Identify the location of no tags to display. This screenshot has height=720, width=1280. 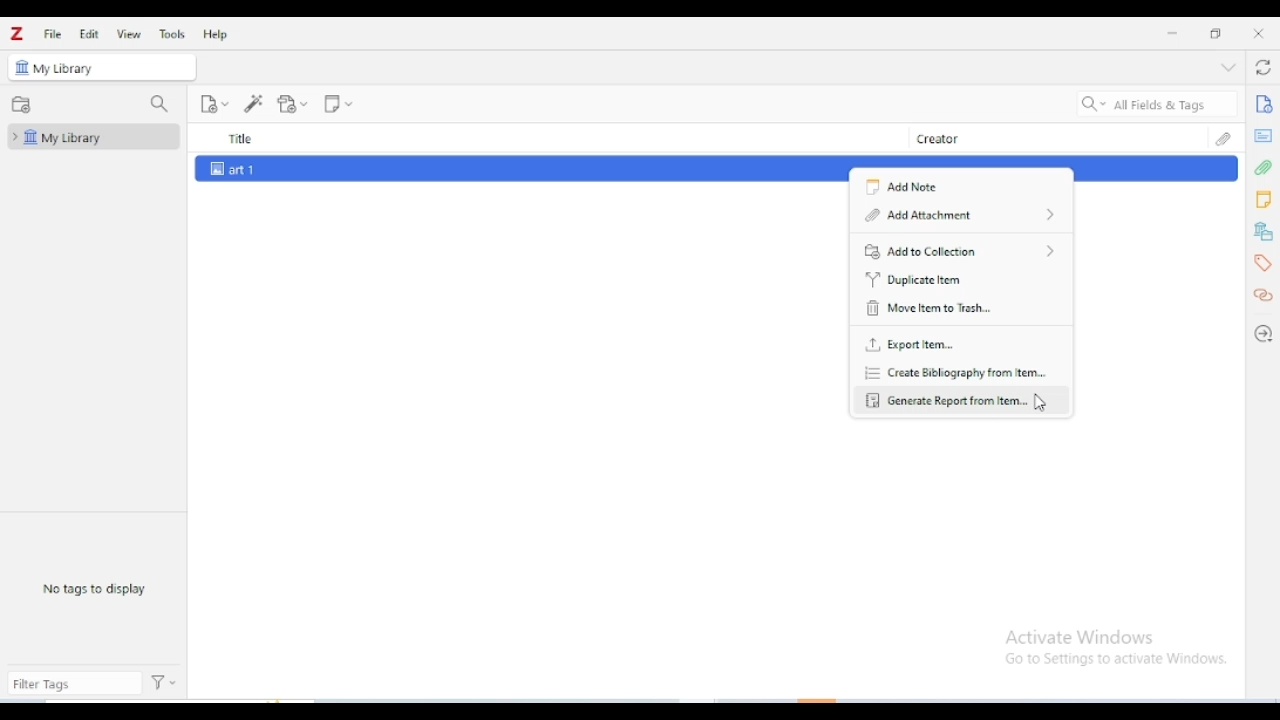
(93, 588).